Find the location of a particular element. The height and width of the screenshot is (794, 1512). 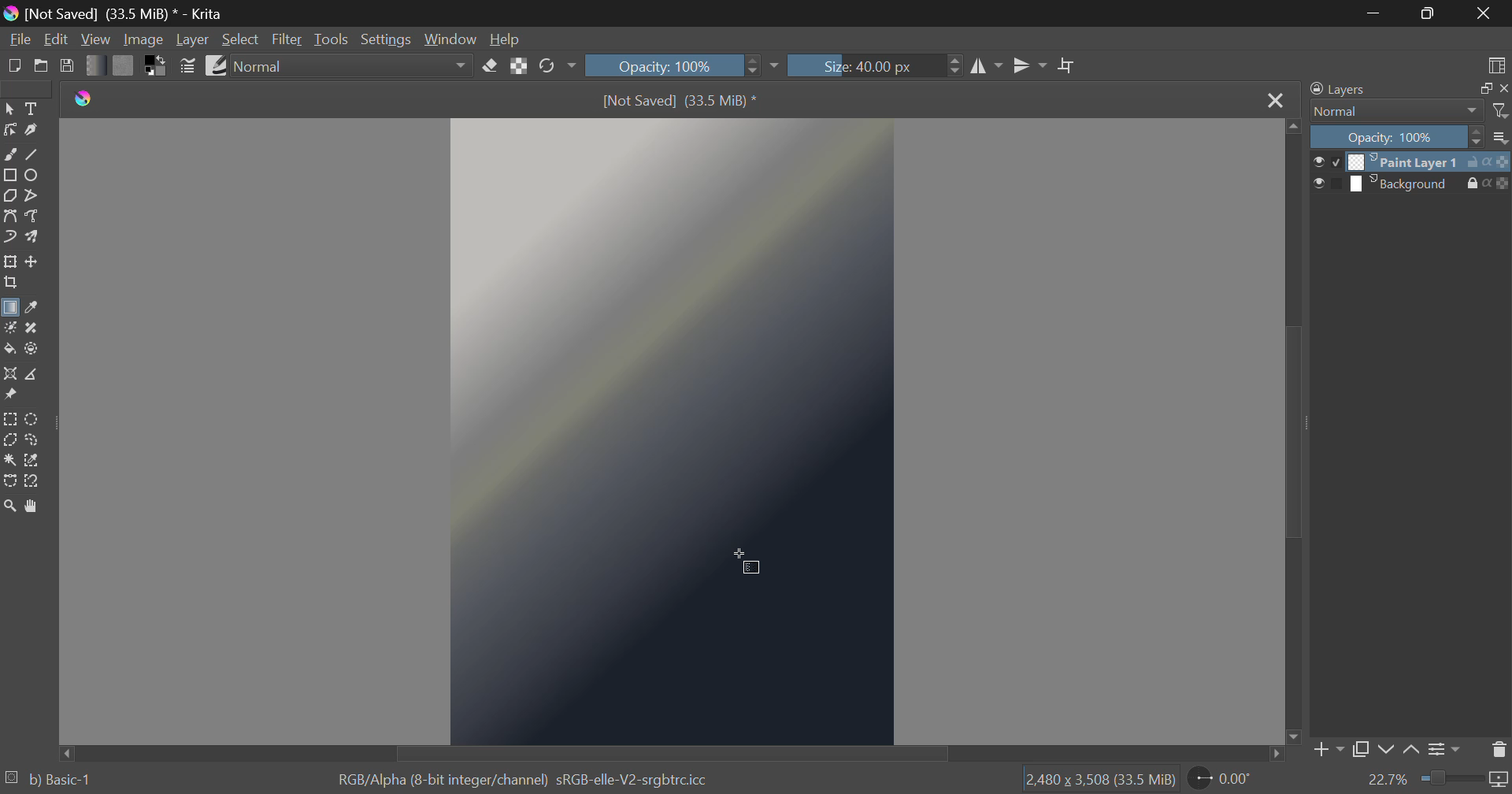

[Not Saved] (33.5 MiB) is located at coordinates (680, 101).